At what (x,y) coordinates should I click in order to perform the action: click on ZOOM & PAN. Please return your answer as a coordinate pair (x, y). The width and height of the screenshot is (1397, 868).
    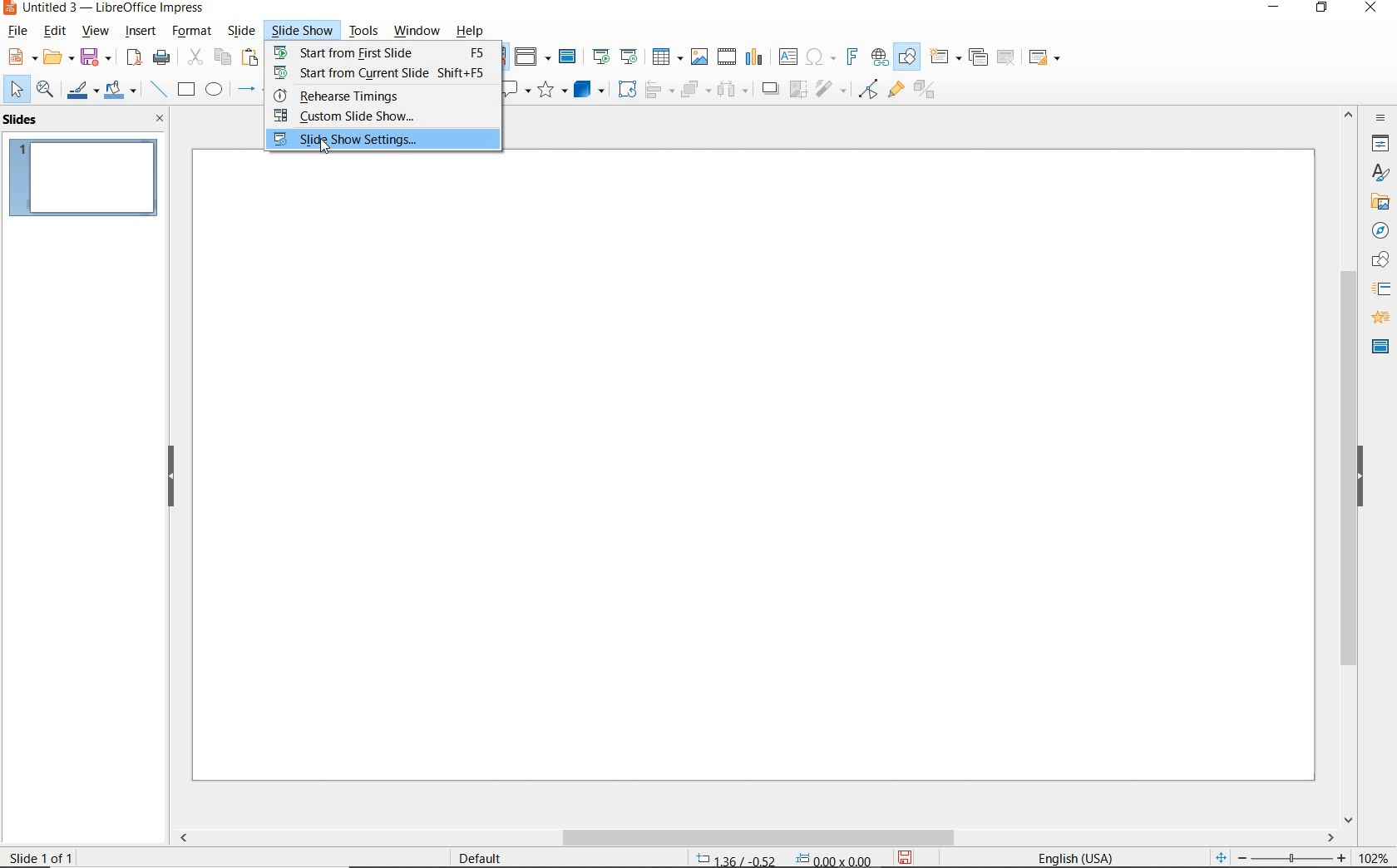
    Looking at the image, I should click on (46, 89).